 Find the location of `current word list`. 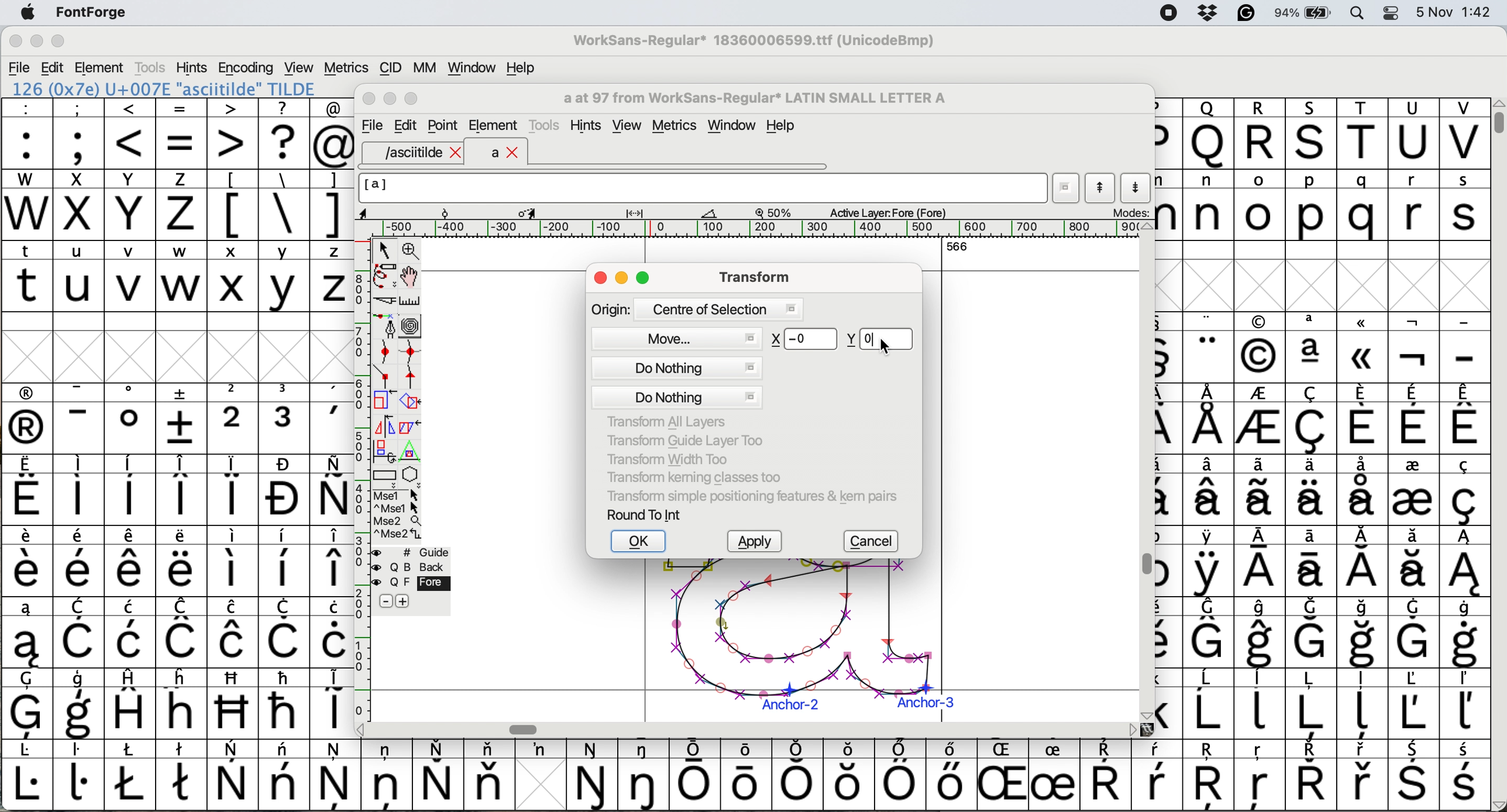

current word list is located at coordinates (1066, 190).